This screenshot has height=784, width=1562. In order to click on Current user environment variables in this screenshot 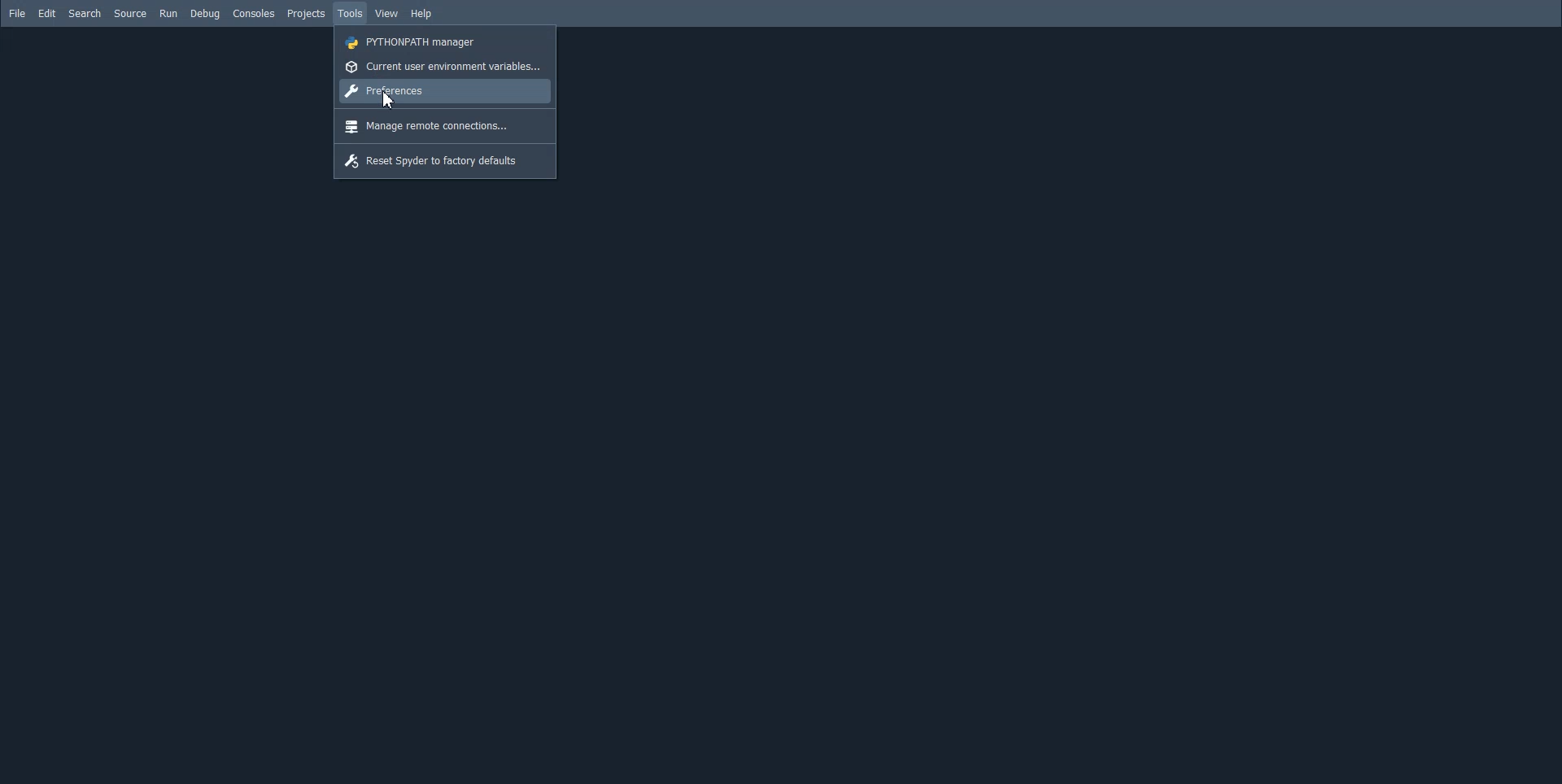, I will do `click(445, 66)`.